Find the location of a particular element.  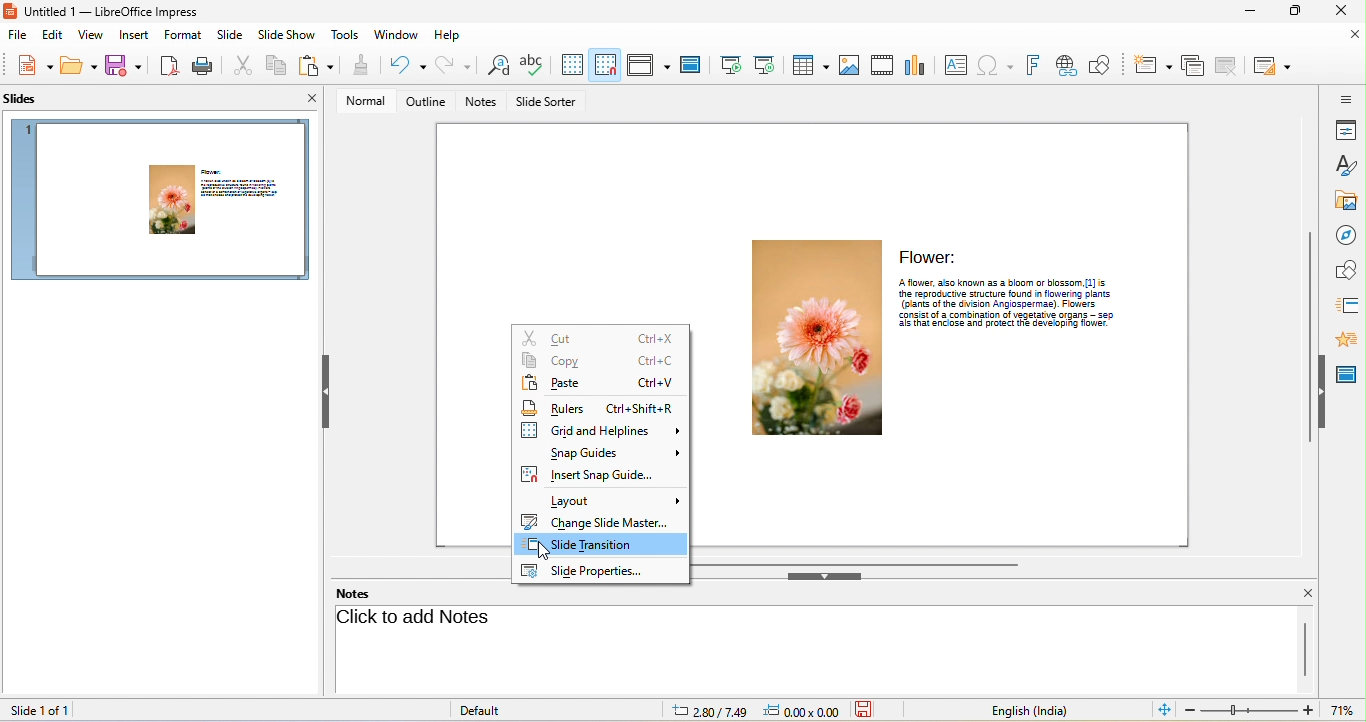

export directly as pdf is located at coordinates (170, 66).